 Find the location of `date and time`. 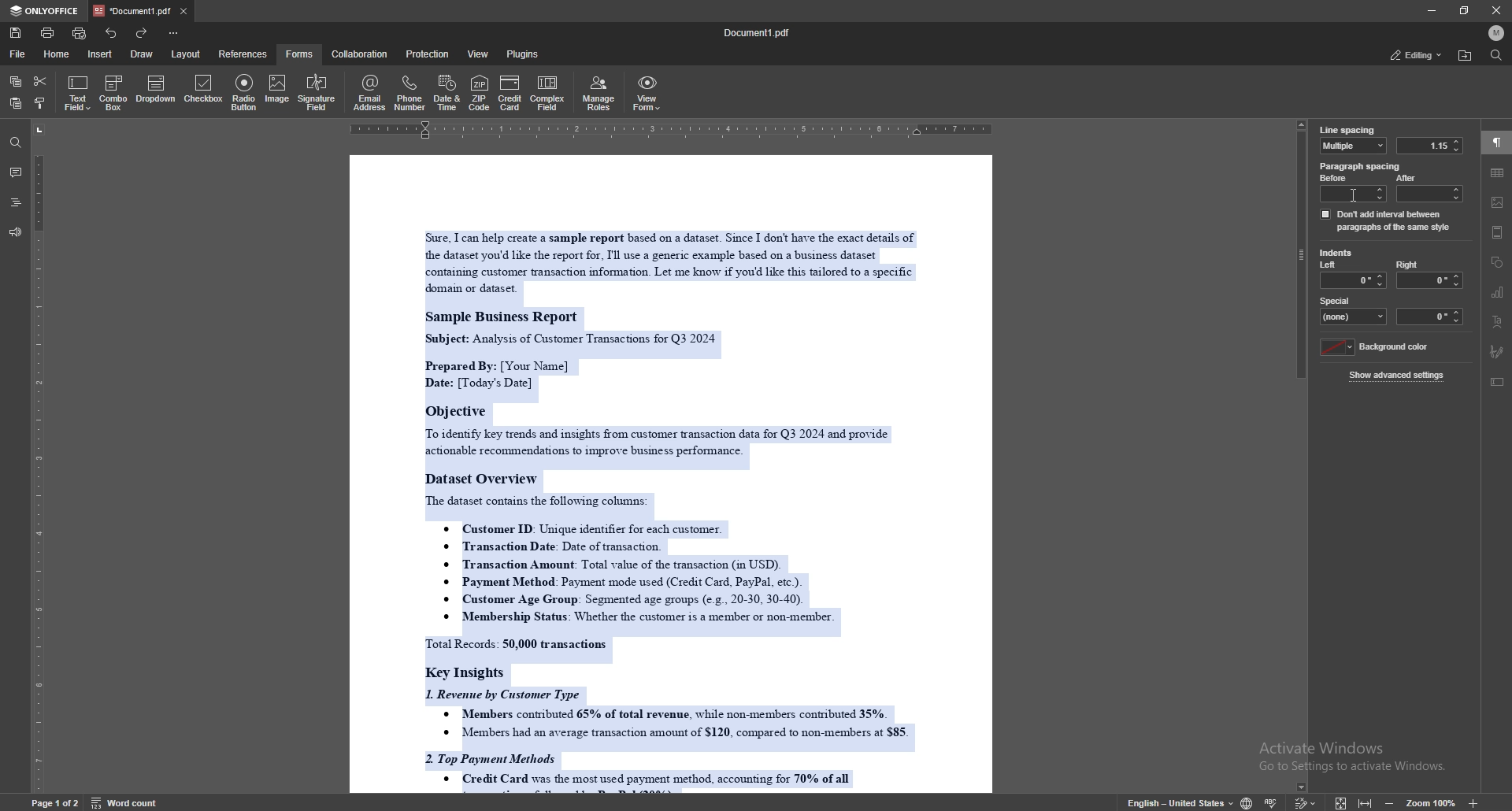

date and time is located at coordinates (447, 93).